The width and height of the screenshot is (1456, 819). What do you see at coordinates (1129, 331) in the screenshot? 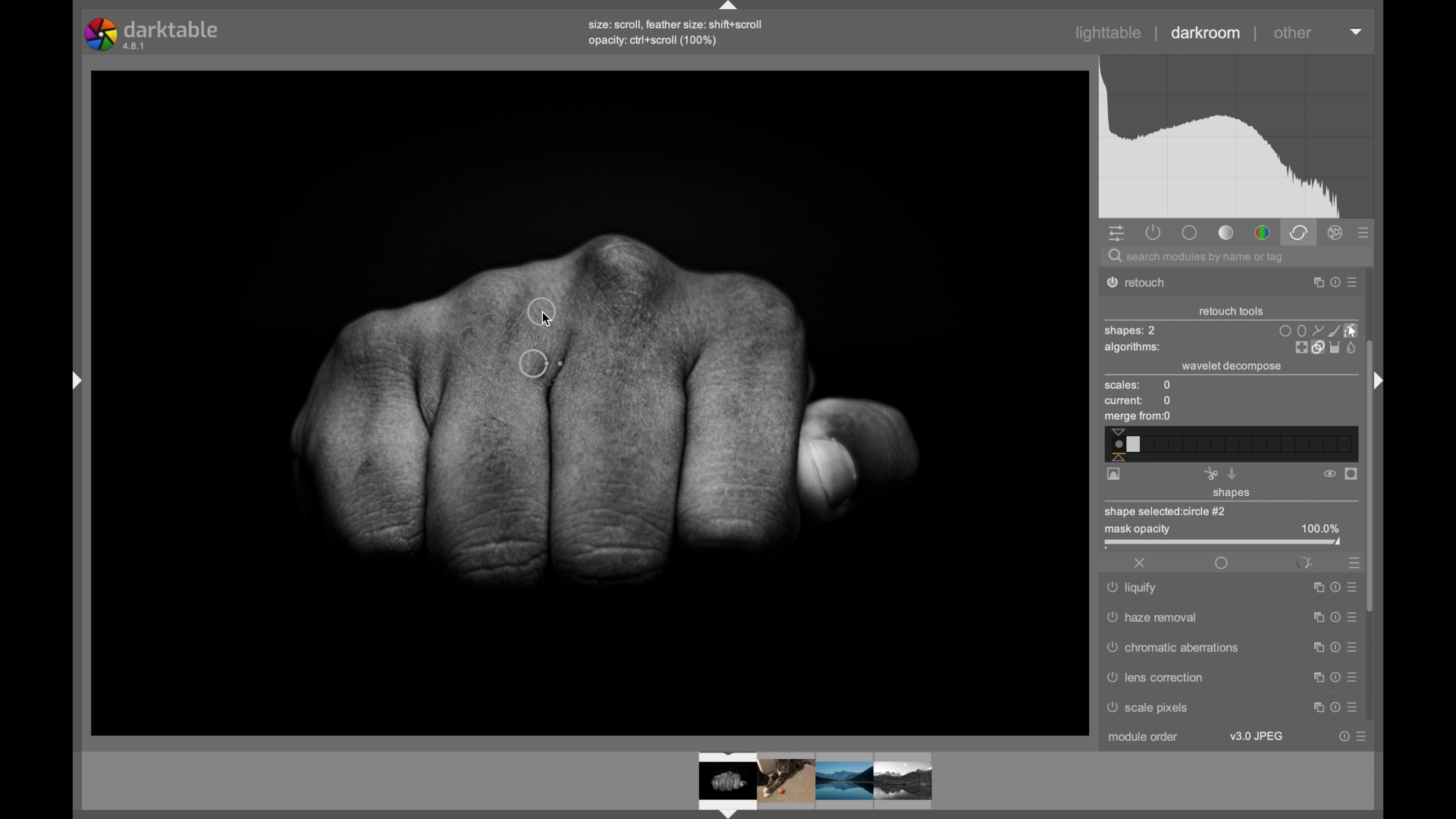
I see `shapes: 1` at bounding box center [1129, 331].